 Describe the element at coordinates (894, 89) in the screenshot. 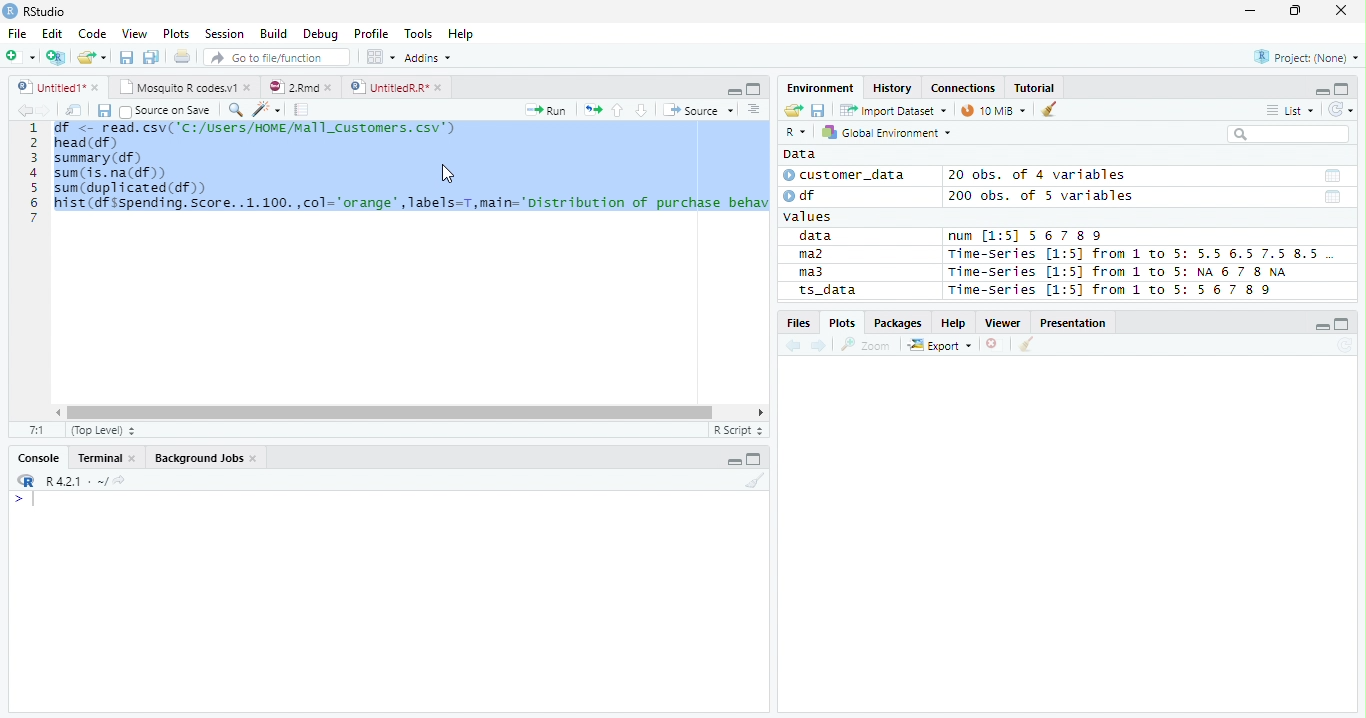

I see `History` at that location.